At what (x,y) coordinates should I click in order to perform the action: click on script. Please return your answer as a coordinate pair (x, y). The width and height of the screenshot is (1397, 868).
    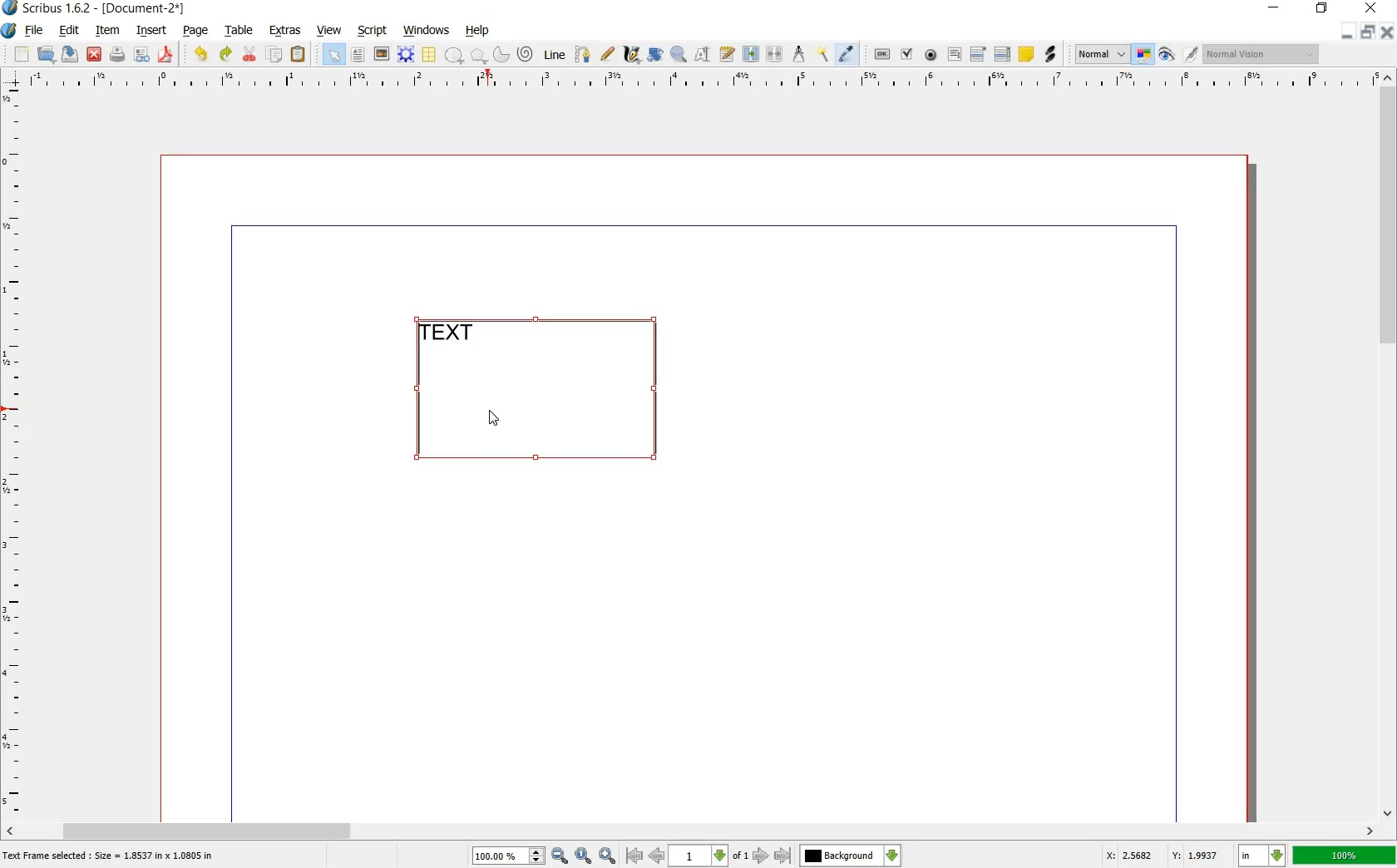
    Looking at the image, I should click on (373, 31).